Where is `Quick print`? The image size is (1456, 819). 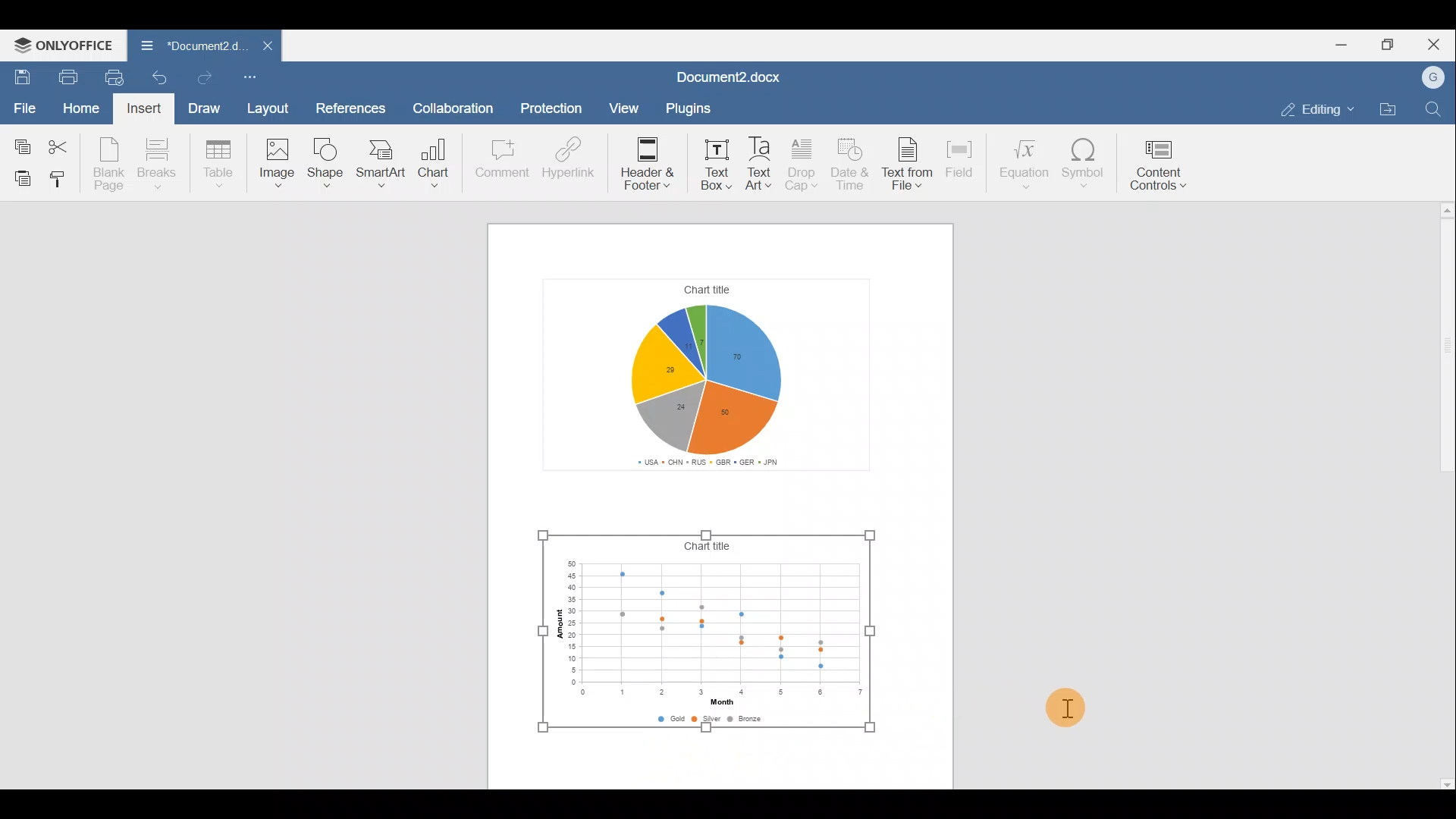 Quick print is located at coordinates (115, 77).